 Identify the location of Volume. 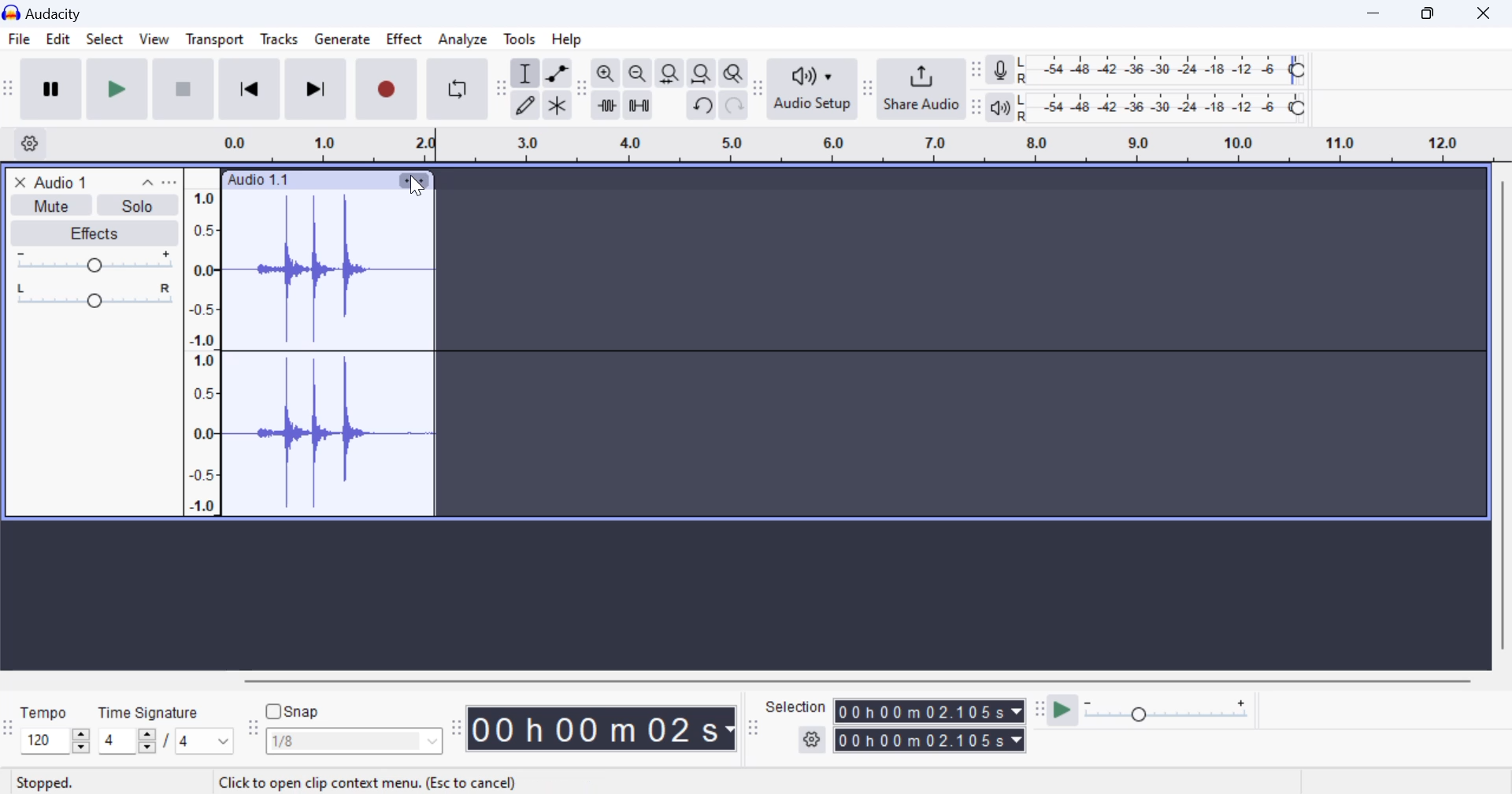
(91, 262).